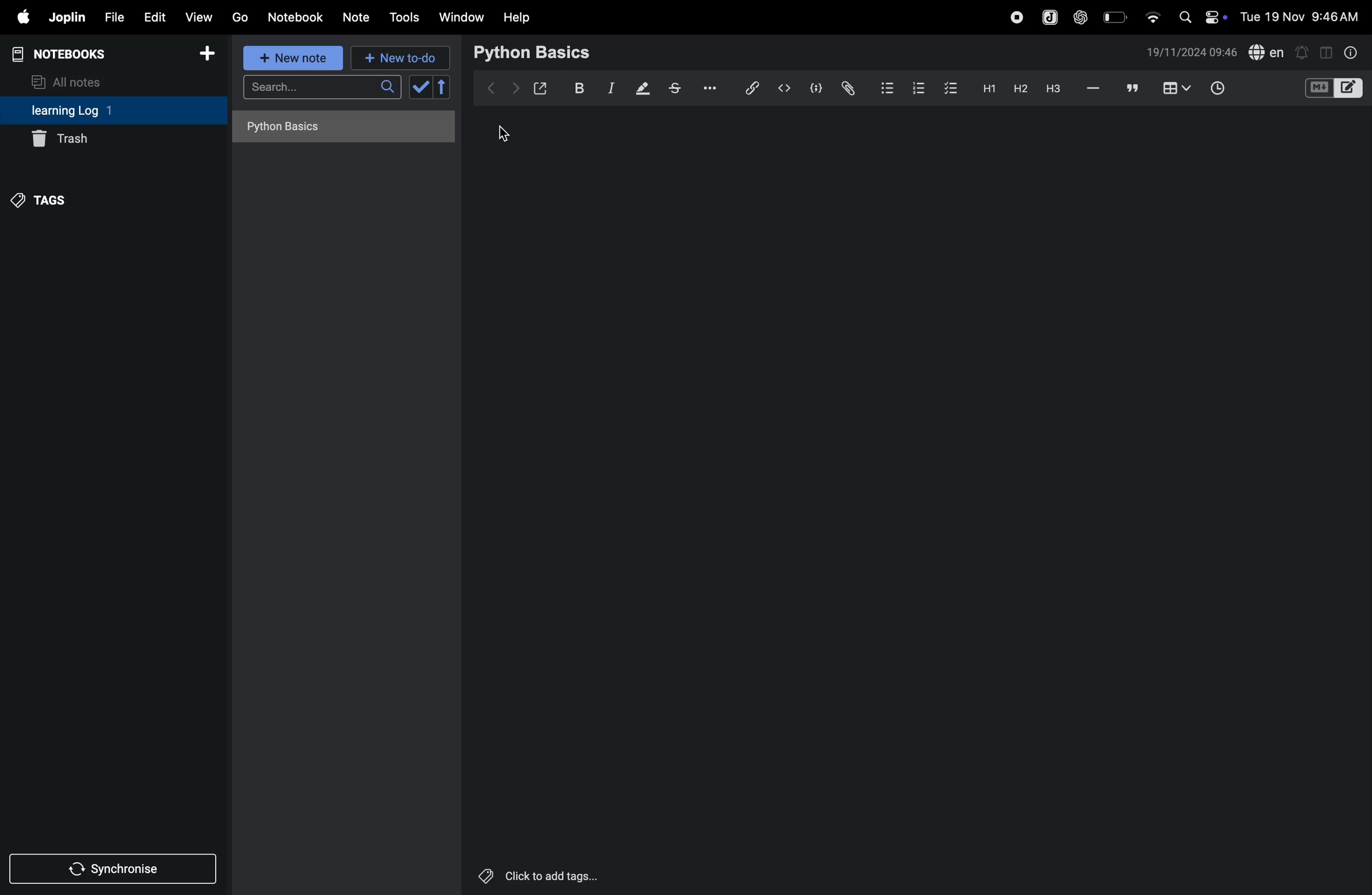  I want to click on info, so click(1349, 52).